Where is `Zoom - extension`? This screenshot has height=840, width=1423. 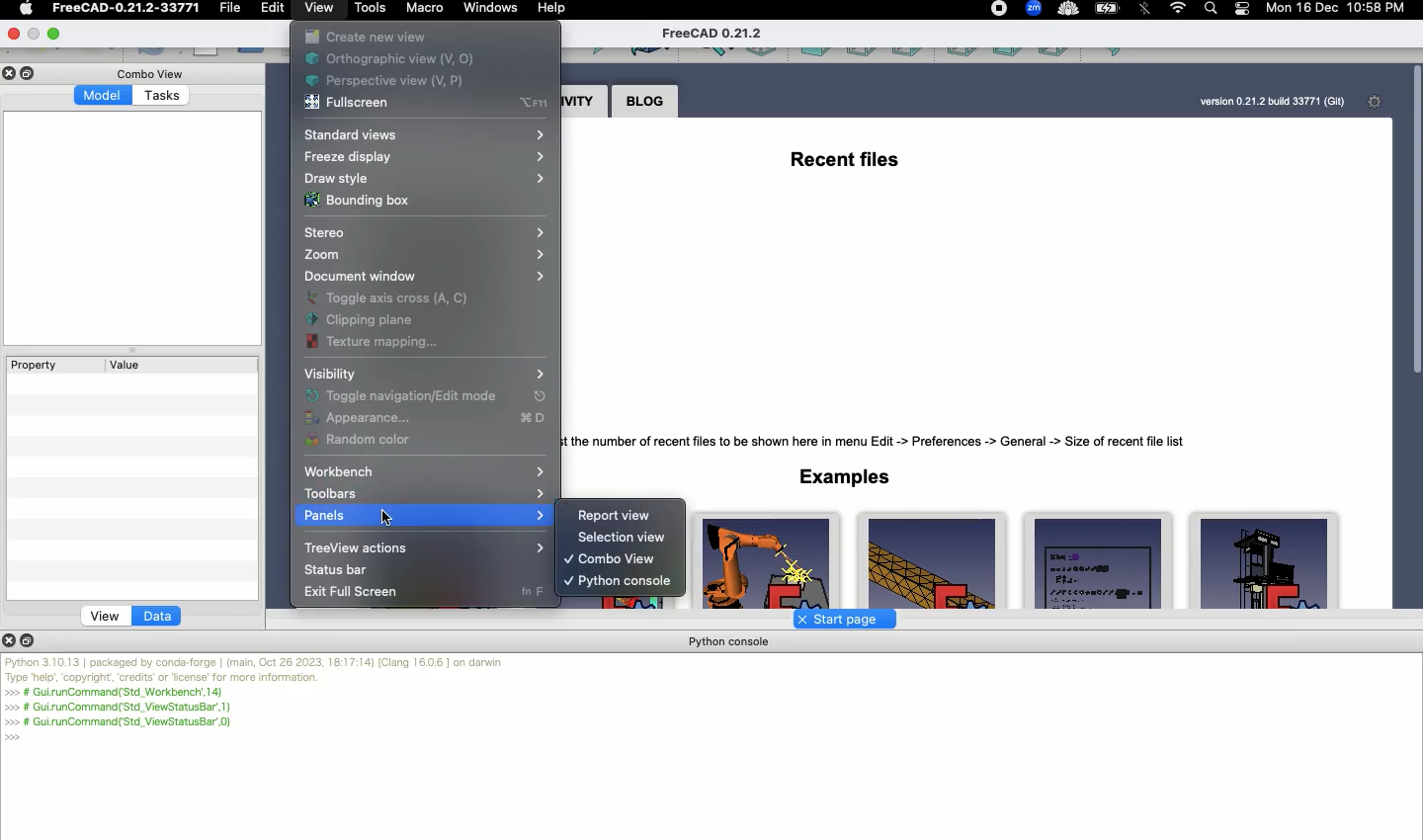 Zoom - extension is located at coordinates (1033, 10).